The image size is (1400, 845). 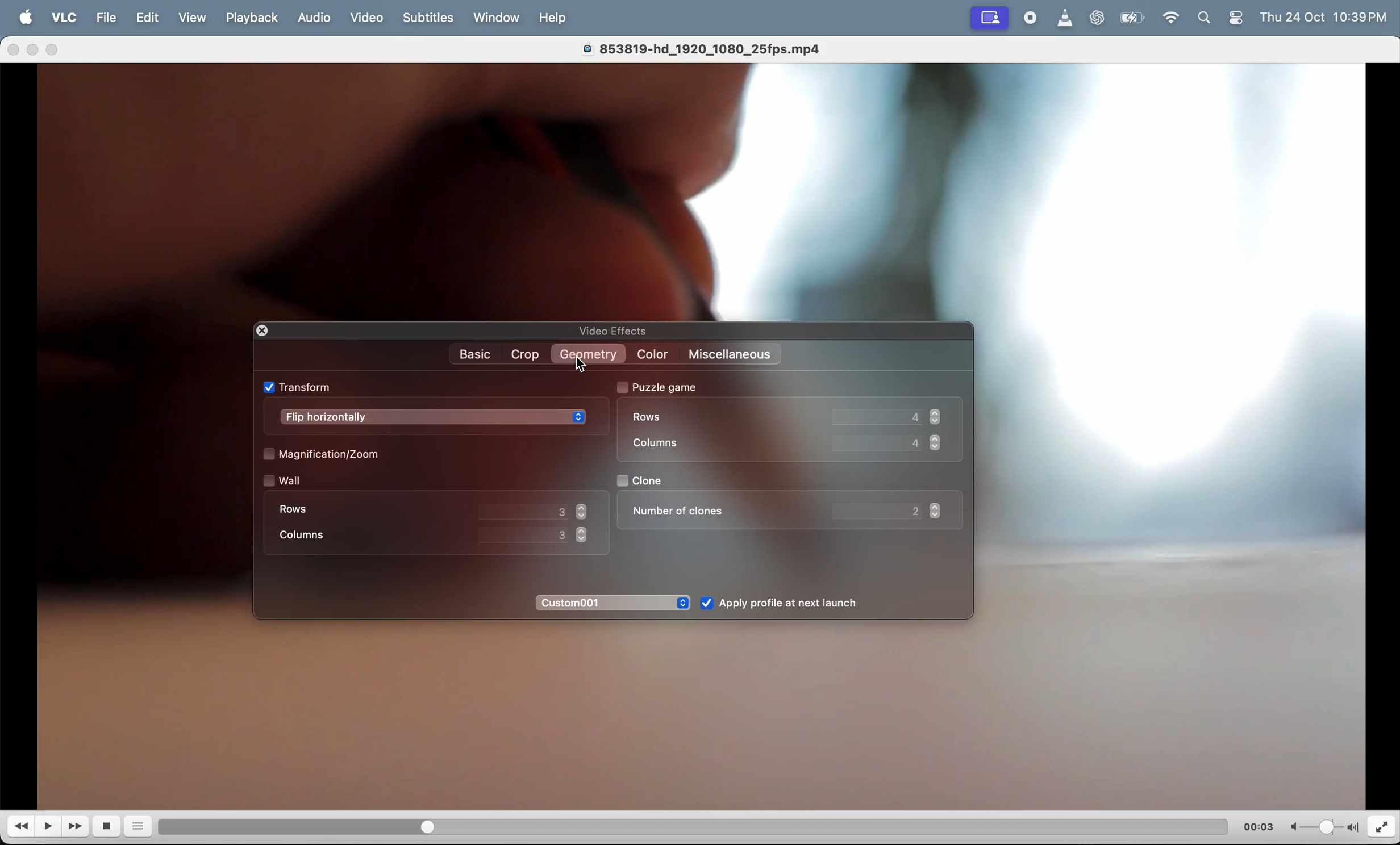 I want to click on number of clones, so click(x=680, y=509).